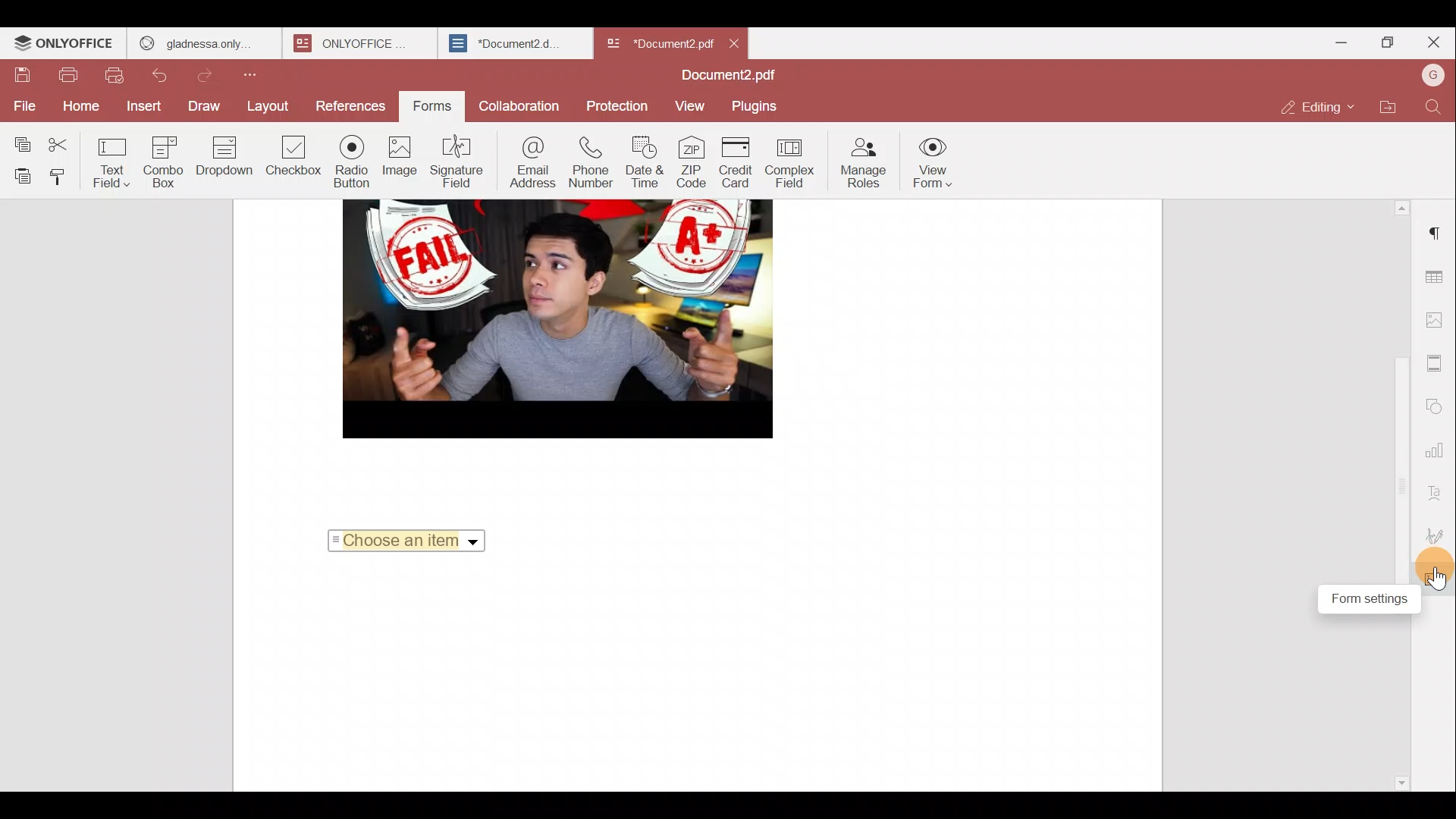 This screenshot has height=819, width=1456. What do you see at coordinates (1316, 108) in the screenshot?
I see `Editing mode` at bounding box center [1316, 108].